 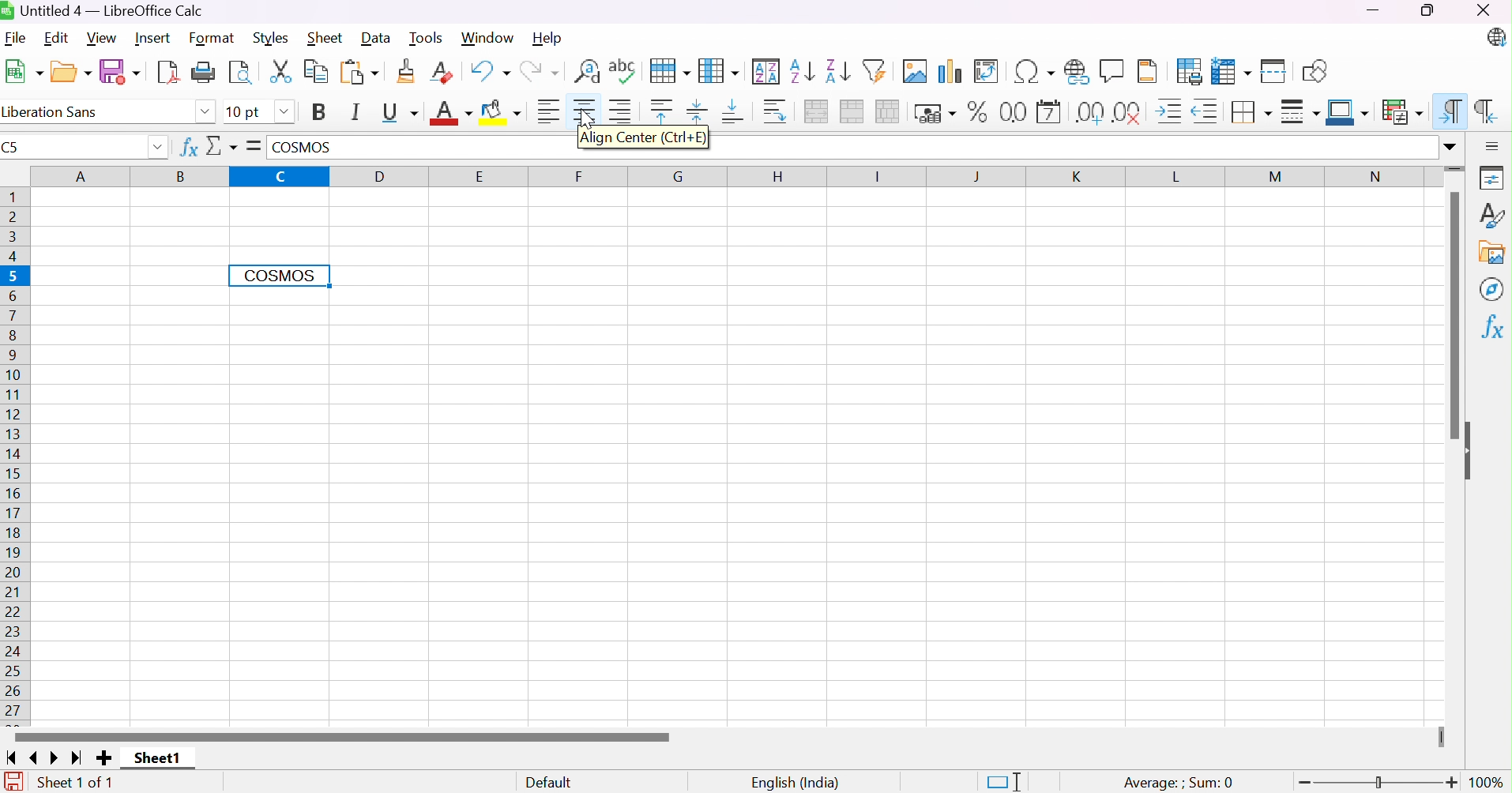 What do you see at coordinates (504, 114) in the screenshot?
I see `Background Color` at bounding box center [504, 114].